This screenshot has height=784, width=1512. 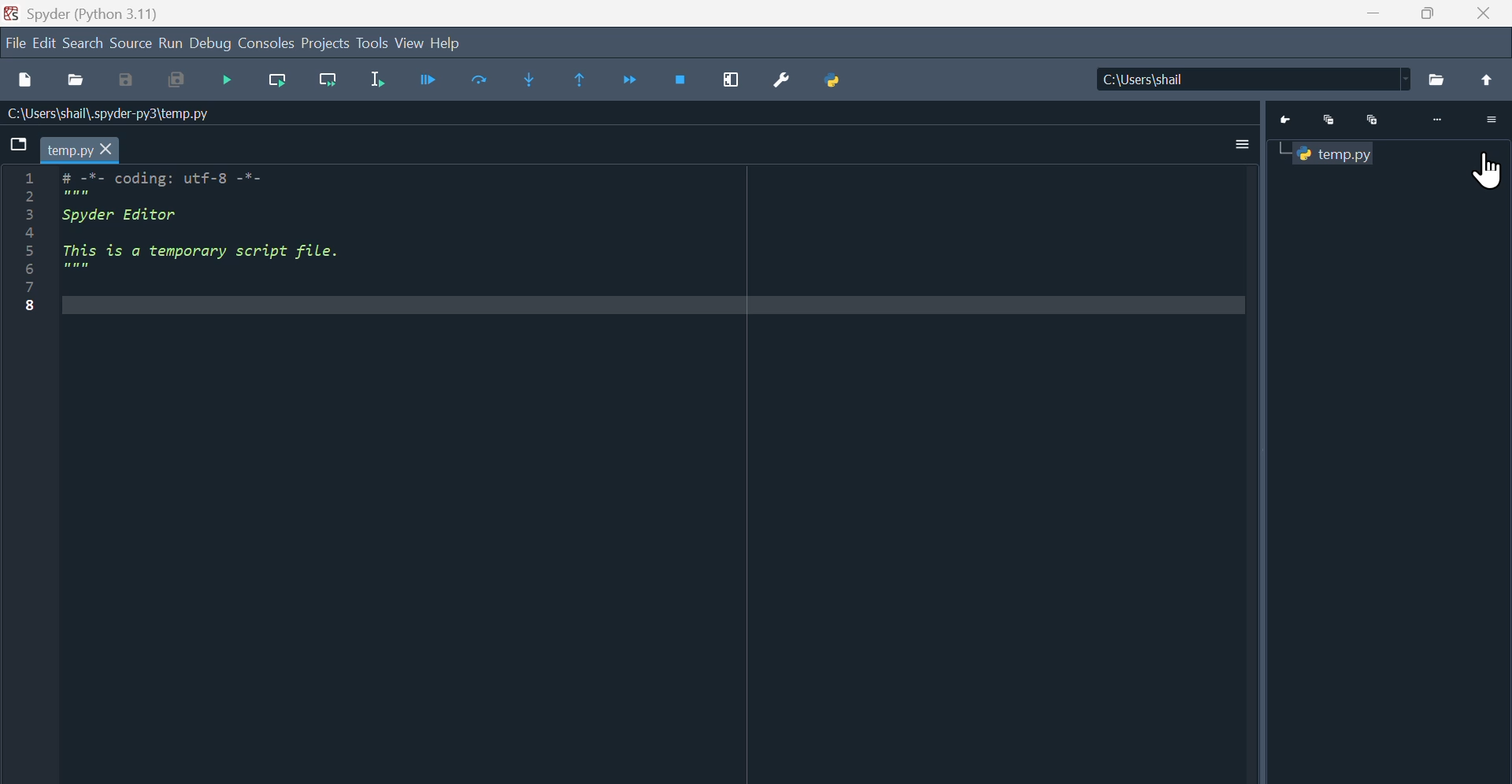 What do you see at coordinates (782, 81) in the screenshot?
I see `Preferences` at bounding box center [782, 81].